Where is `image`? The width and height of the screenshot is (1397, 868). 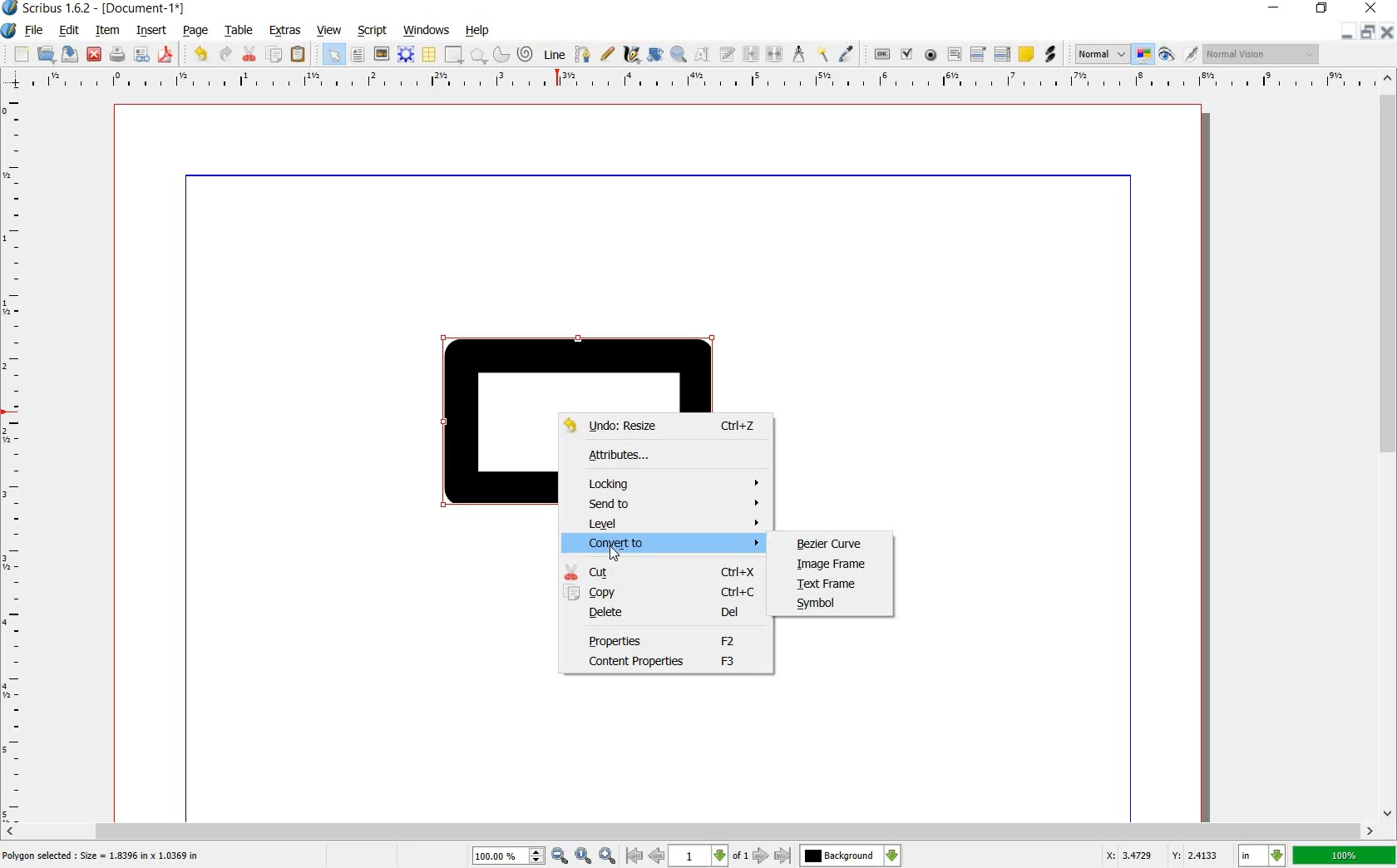 image is located at coordinates (380, 53).